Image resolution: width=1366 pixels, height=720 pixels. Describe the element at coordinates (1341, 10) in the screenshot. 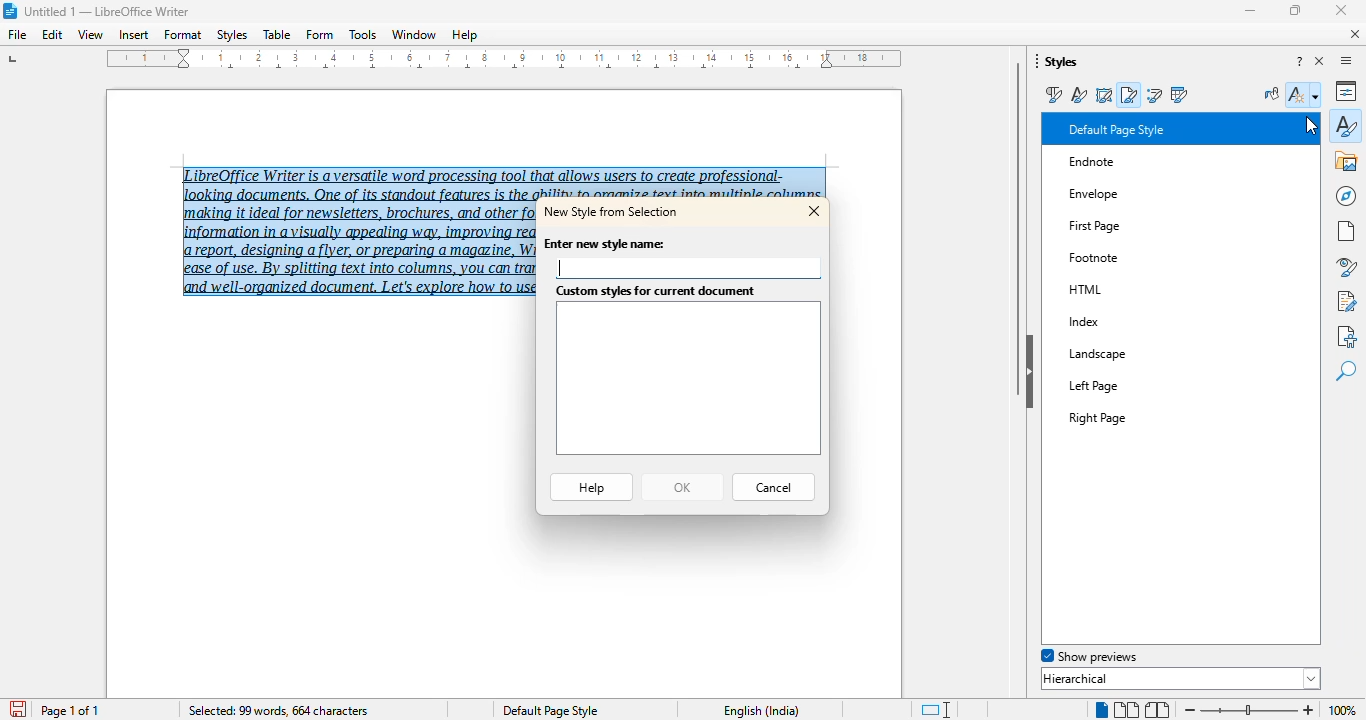

I see `close ` at that location.